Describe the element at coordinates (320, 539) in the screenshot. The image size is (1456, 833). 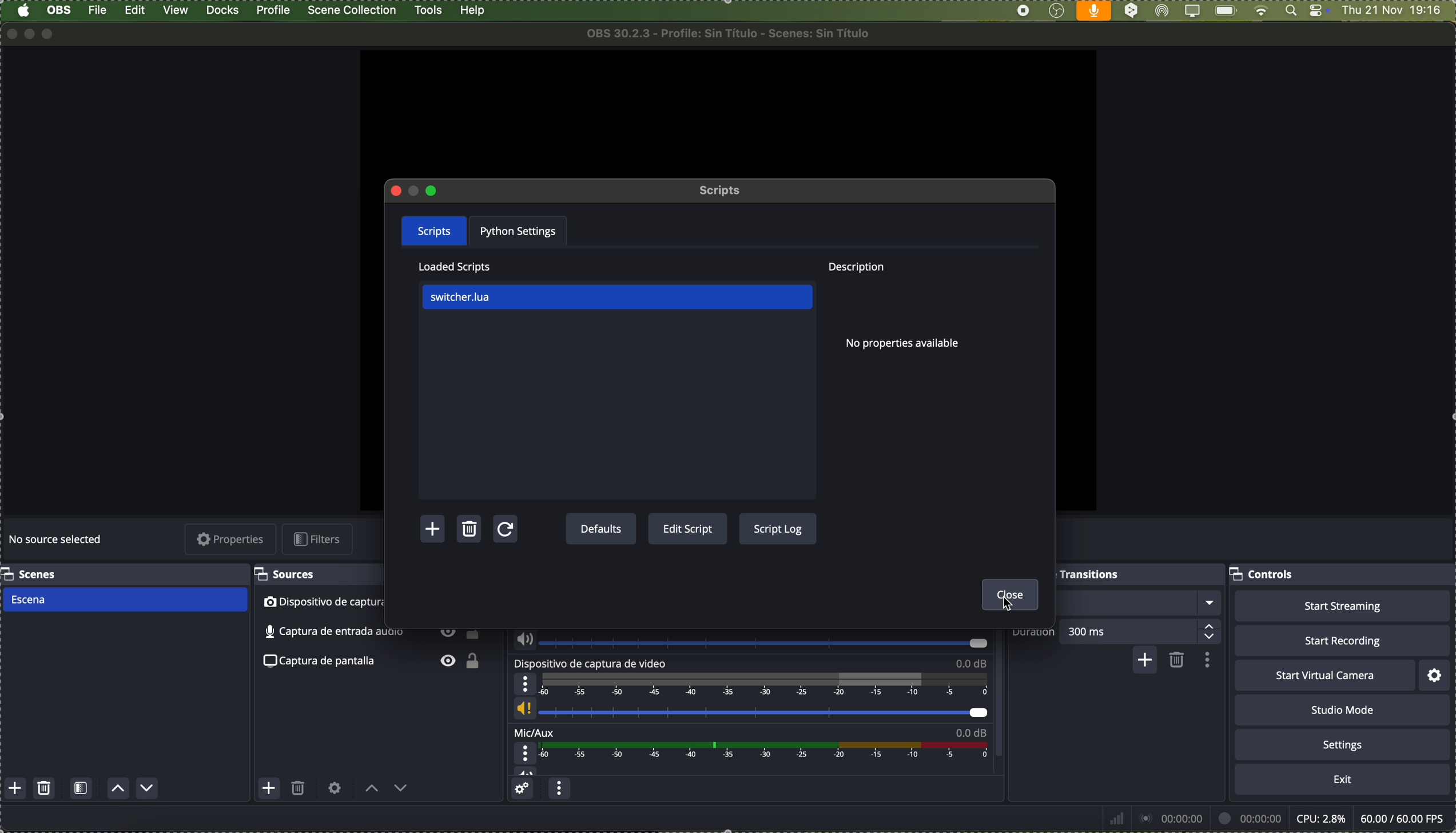
I see `filters` at that location.